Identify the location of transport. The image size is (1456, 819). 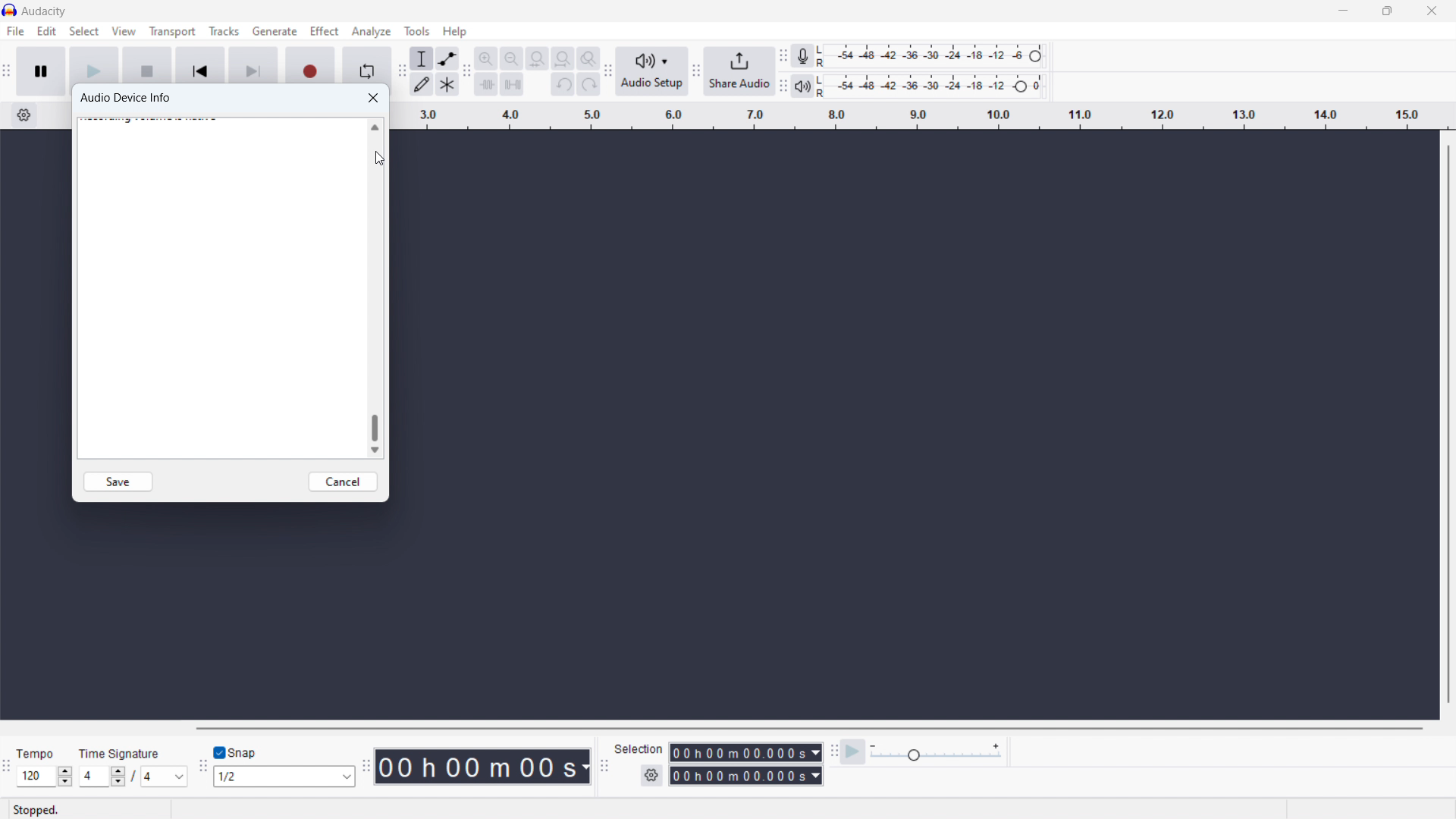
(172, 31).